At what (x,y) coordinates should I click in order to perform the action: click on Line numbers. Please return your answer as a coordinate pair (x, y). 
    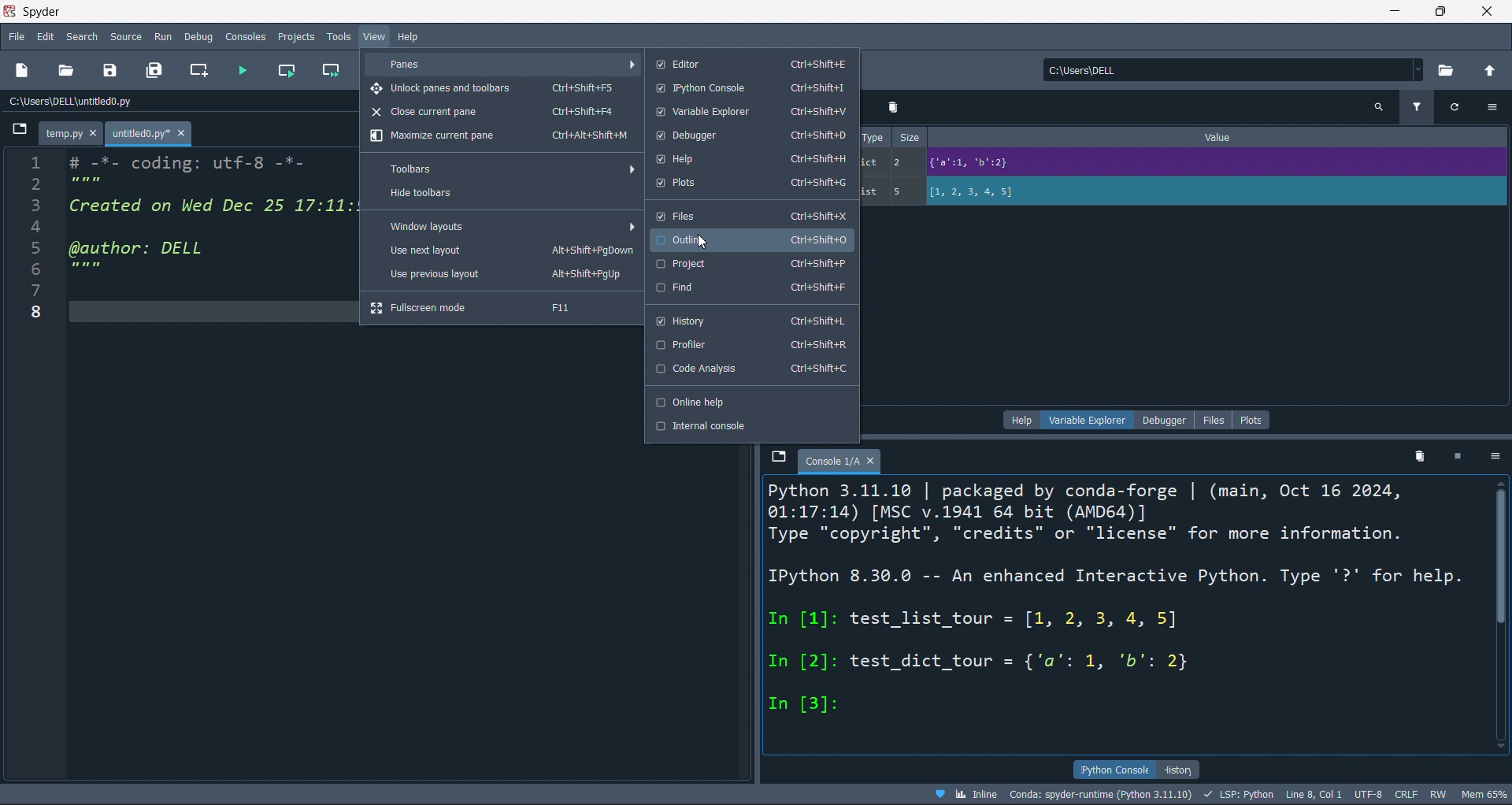
    Looking at the image, I should click on (34, 244).